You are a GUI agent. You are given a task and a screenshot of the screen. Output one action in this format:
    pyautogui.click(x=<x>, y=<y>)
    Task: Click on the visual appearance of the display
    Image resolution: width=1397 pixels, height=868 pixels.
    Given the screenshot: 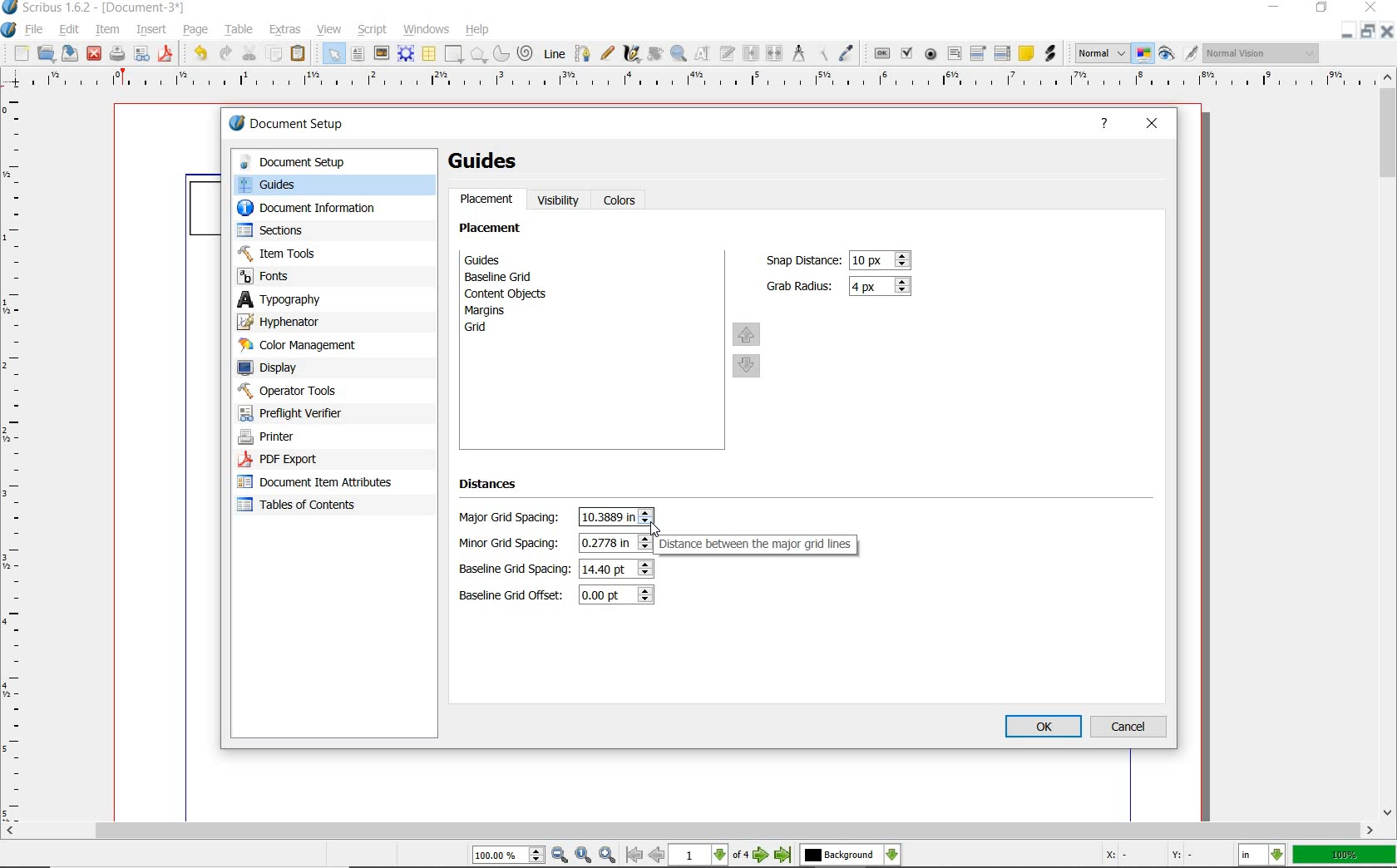 What is the action you would take?
    pyautogui.click(x=1262, y=54)
    